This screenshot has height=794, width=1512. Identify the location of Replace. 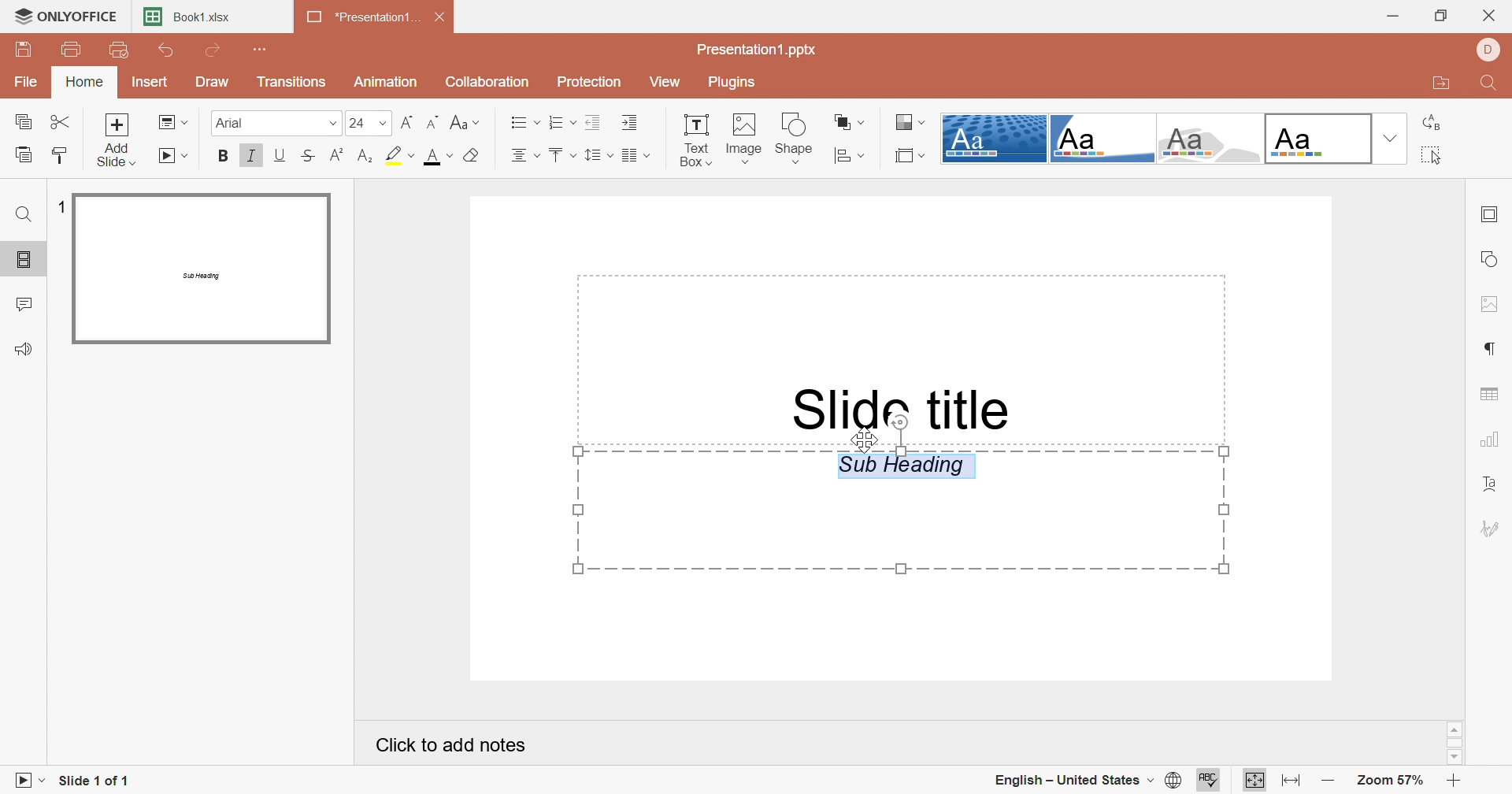
(1431, 124).